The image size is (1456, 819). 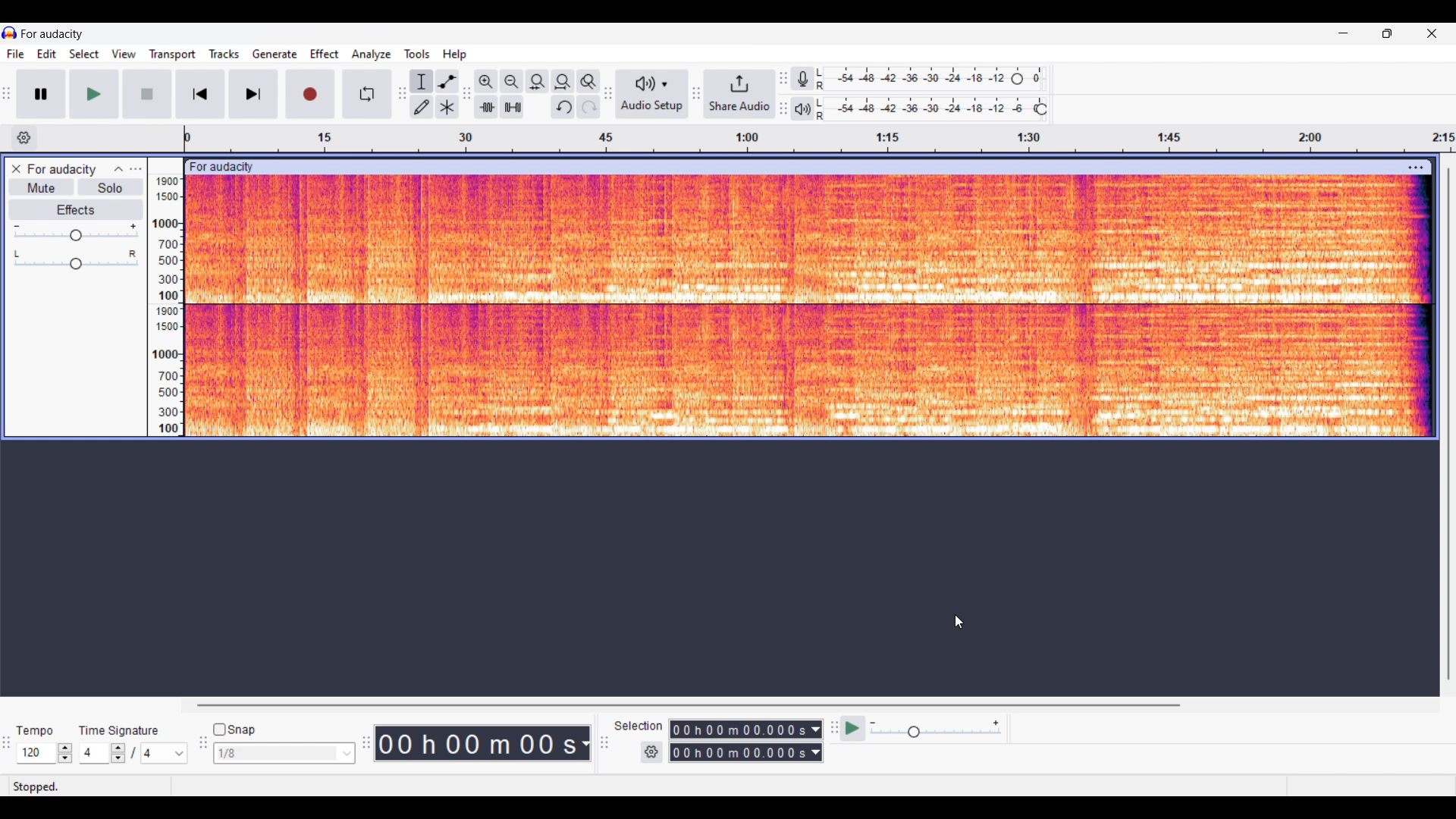 I want to click on Effects, so click(x=75, y=210).